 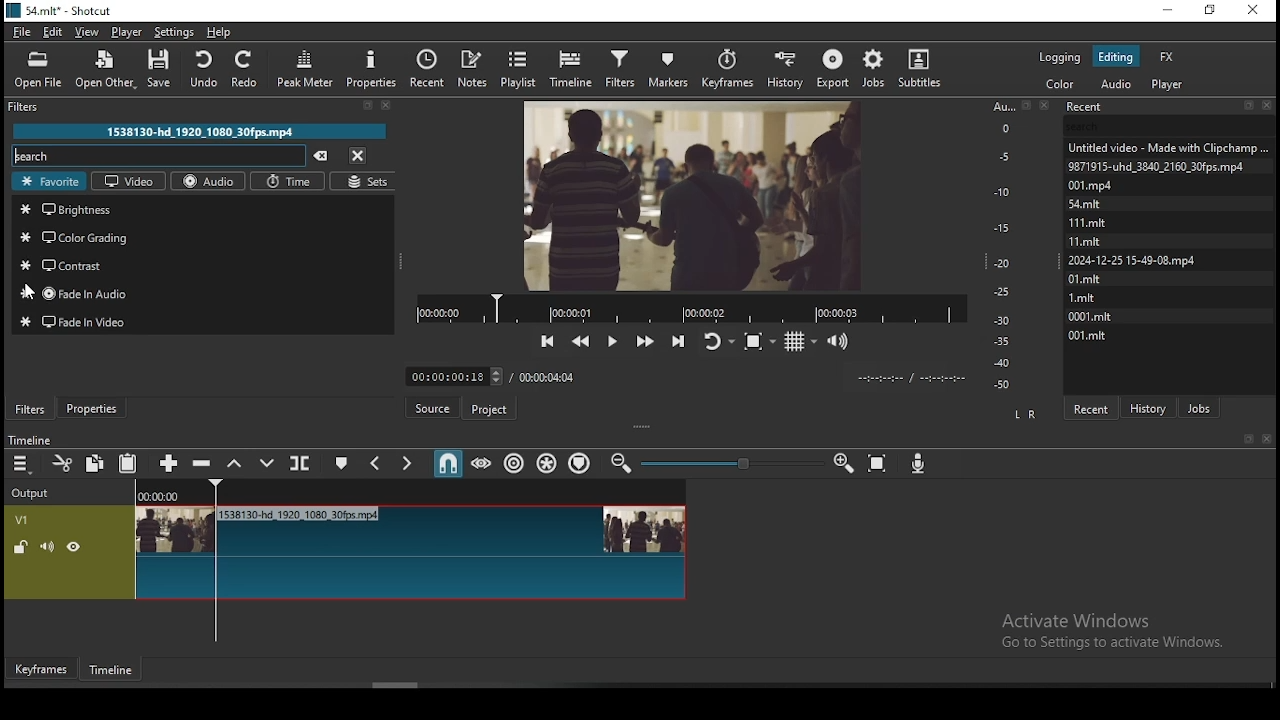 I want to click on export, so click(x=835, y=66).